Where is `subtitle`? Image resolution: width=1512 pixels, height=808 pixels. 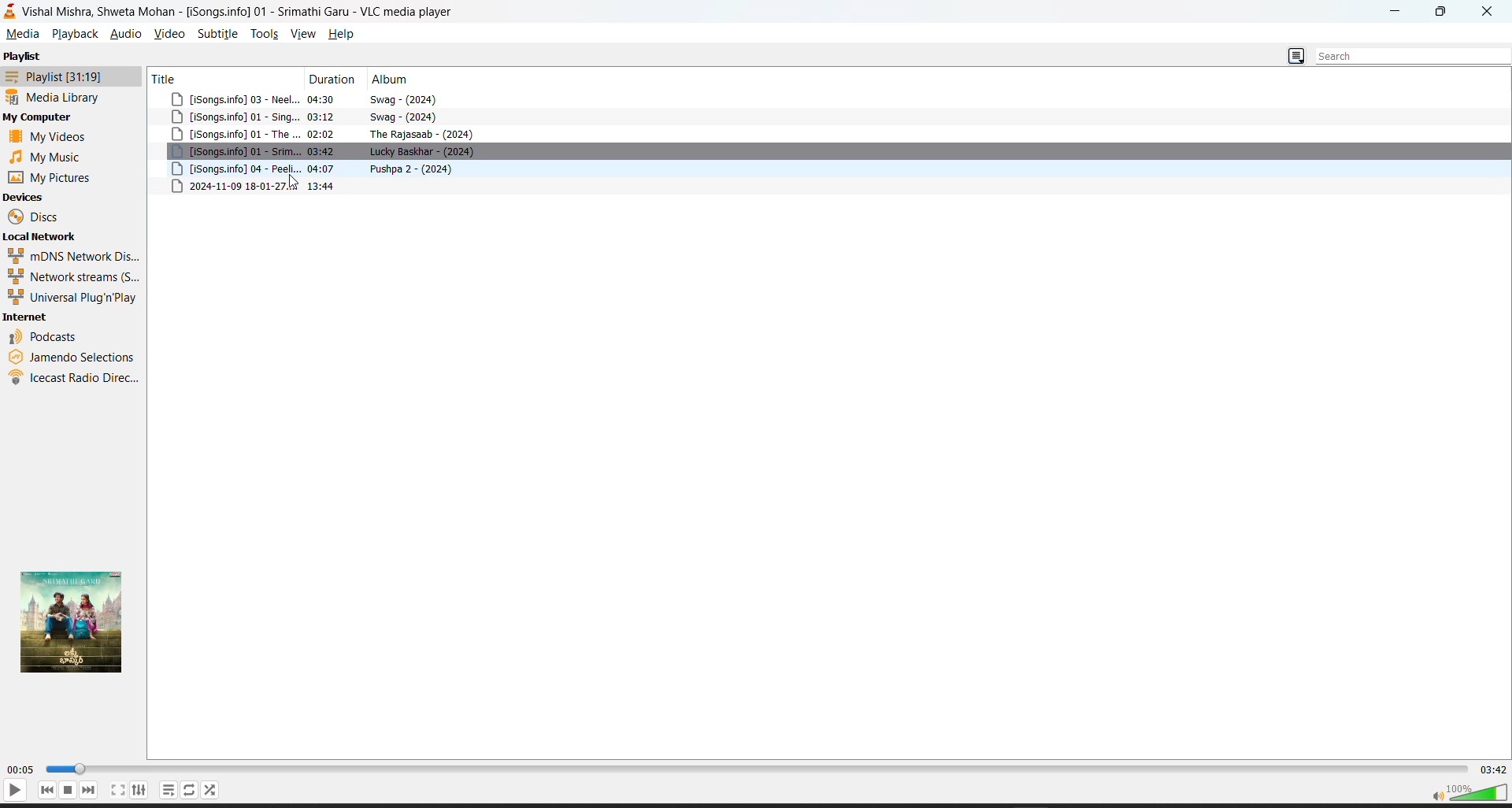 subtitle is located at coordinates (217, 34).